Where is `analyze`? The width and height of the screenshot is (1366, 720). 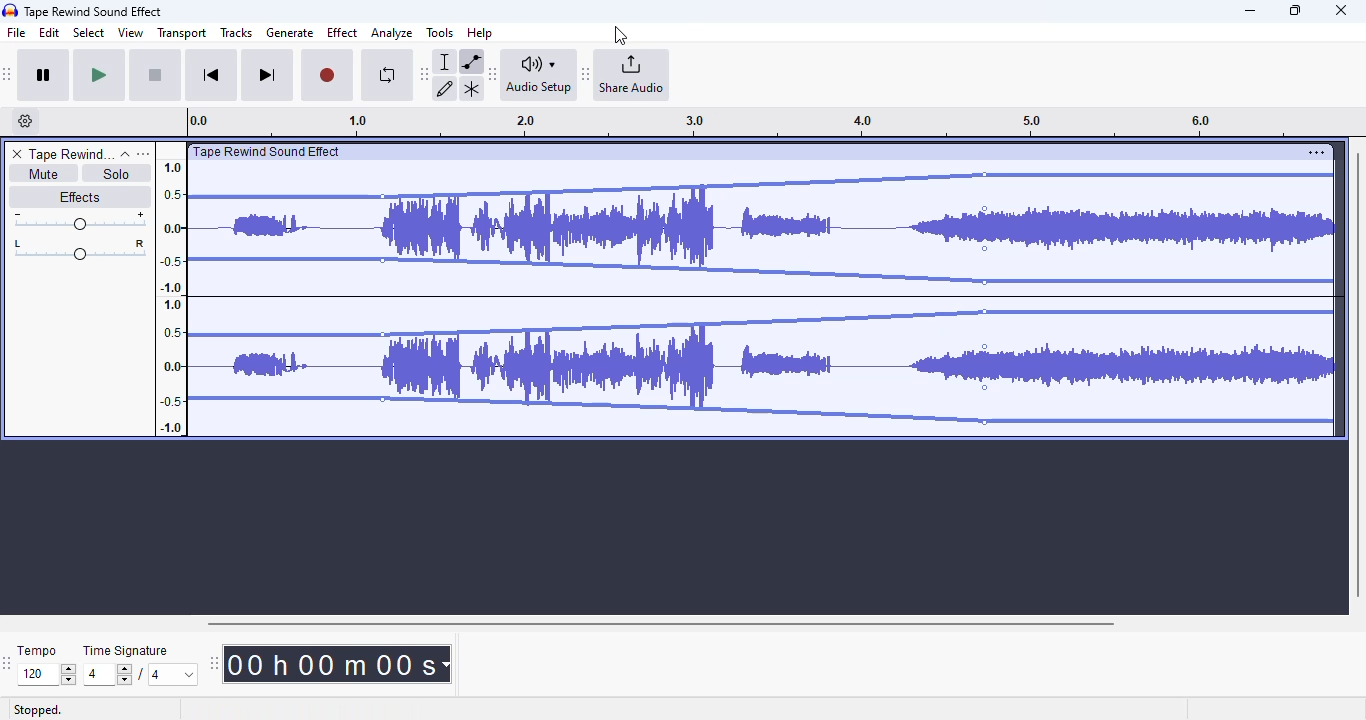
analyze is located at coordinates (392, 33).